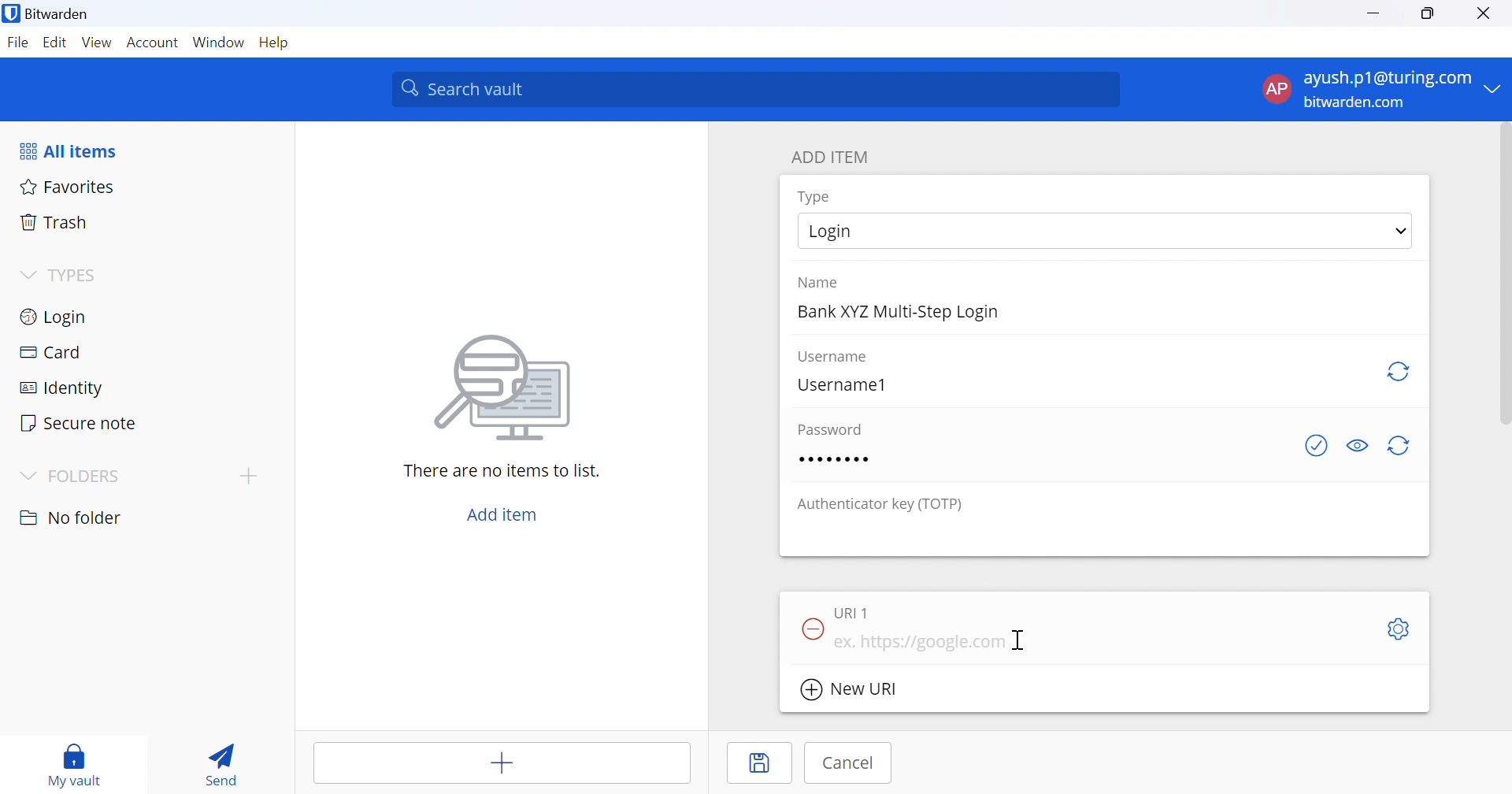 This screenshot has width=1512, height=794. I want to click on Window, so click(218, 42).